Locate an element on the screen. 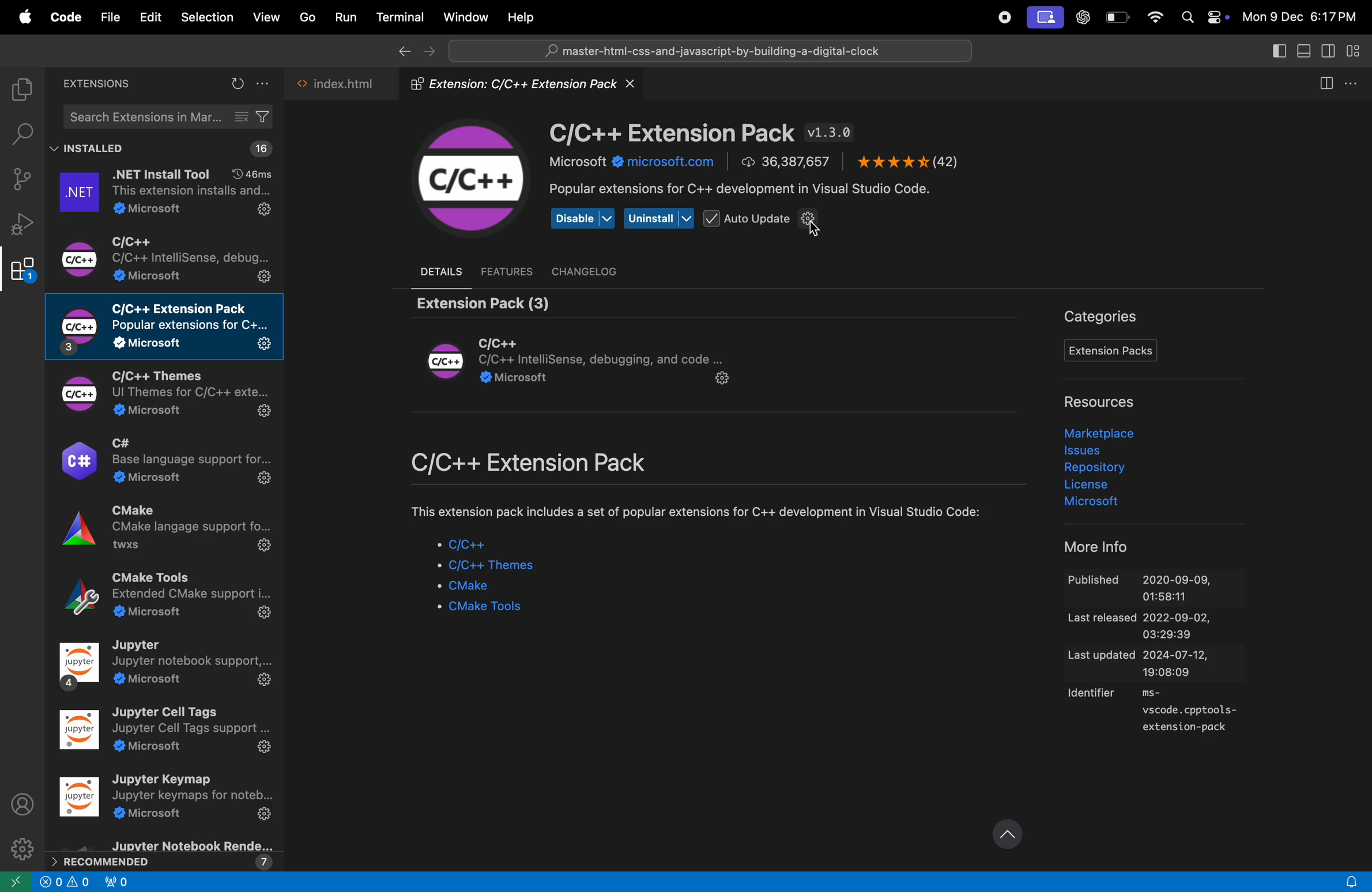 The width and height of the screenshot is (1372, 892). last released is located at coordinates (1160, 627).